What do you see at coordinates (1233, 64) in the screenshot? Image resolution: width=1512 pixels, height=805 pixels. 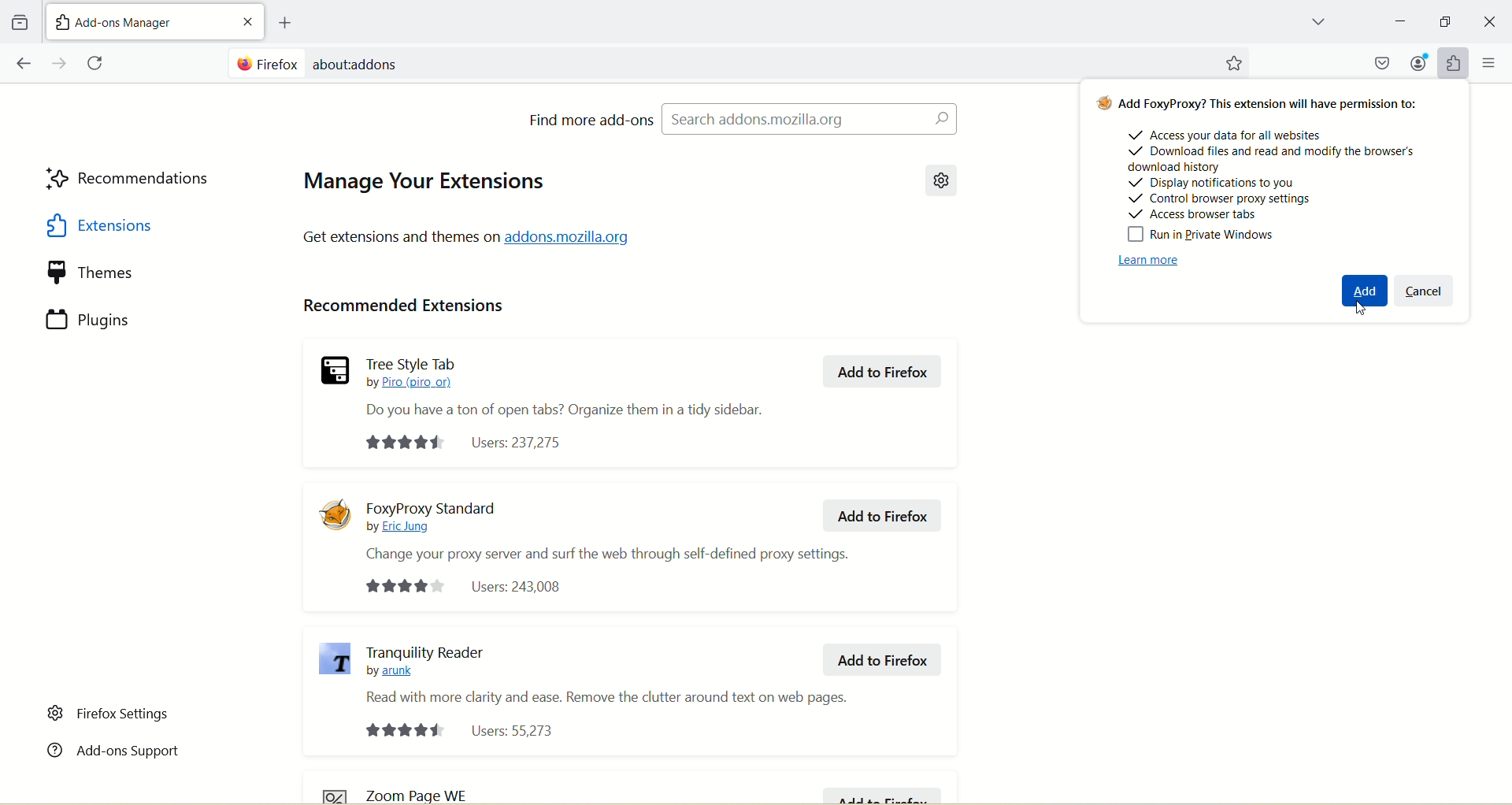 I see `Starred` at bounding box center [1233, 64].